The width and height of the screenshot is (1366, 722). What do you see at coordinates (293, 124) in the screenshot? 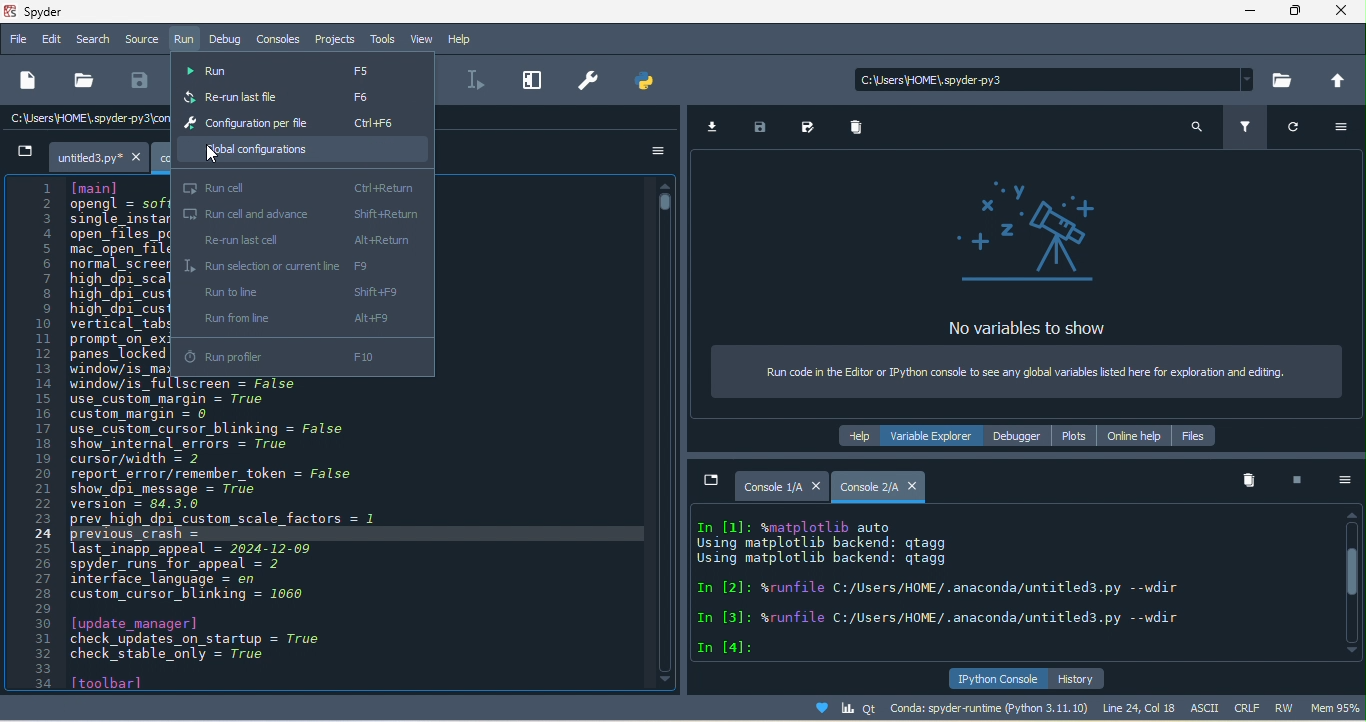
I see `configuration per file` at bounding box center [293, 124].